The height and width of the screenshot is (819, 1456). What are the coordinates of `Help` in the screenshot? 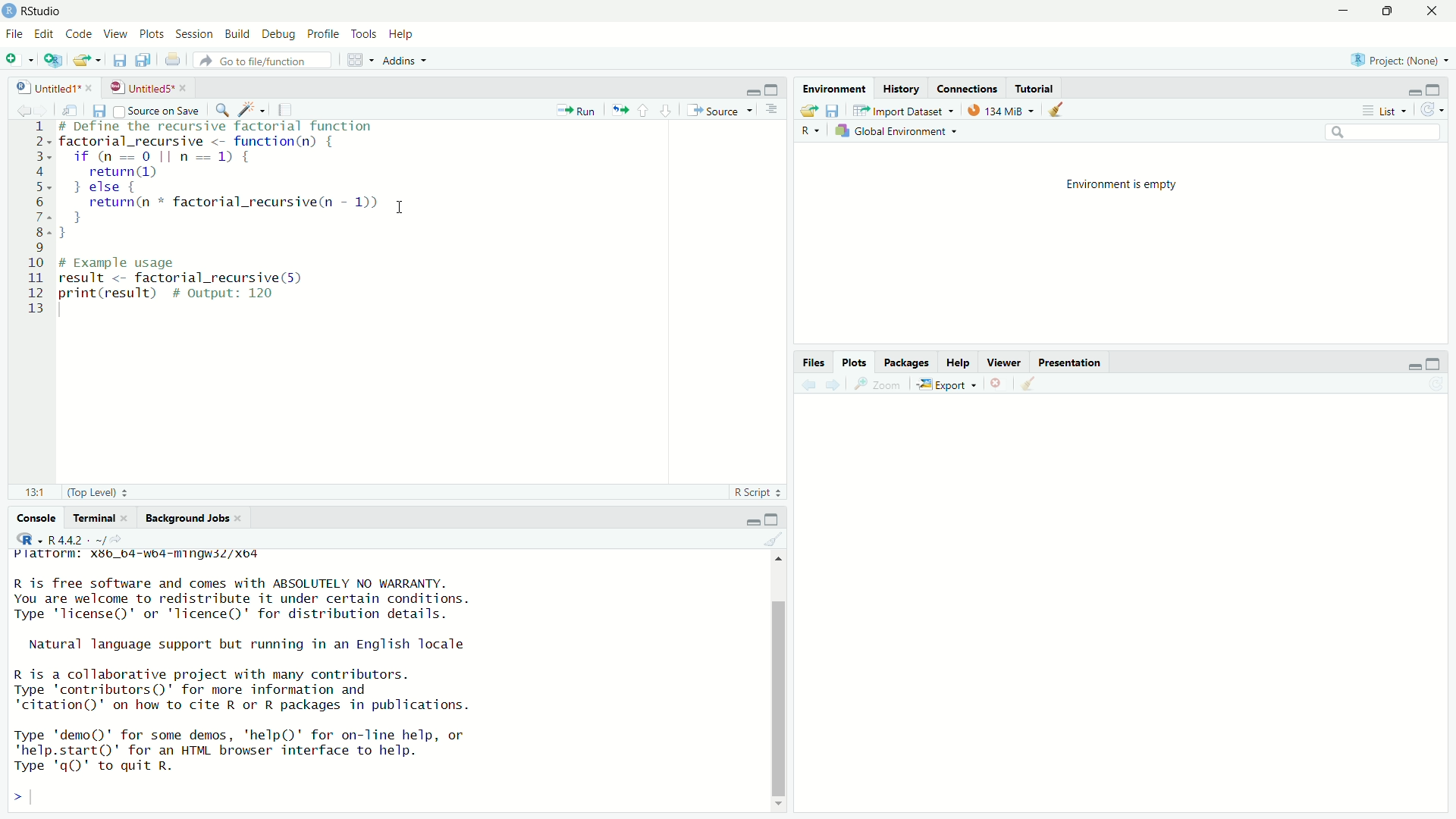 It's located at (960, 361).